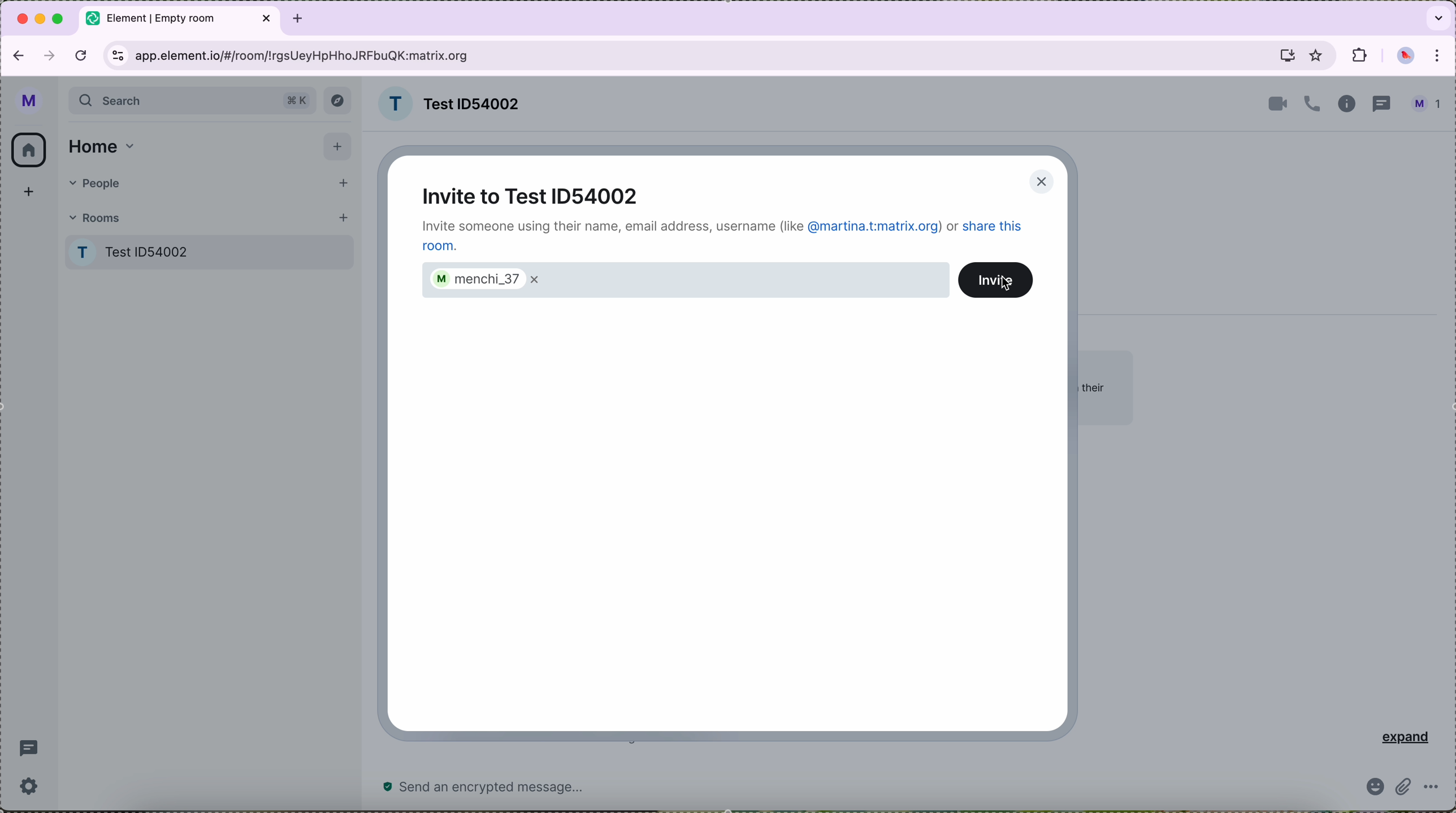 This screenshot has height=813, width=1456. Describe the element at coordinates (23, 18) in the screenshot. I see `close Google Chrome` at that location.